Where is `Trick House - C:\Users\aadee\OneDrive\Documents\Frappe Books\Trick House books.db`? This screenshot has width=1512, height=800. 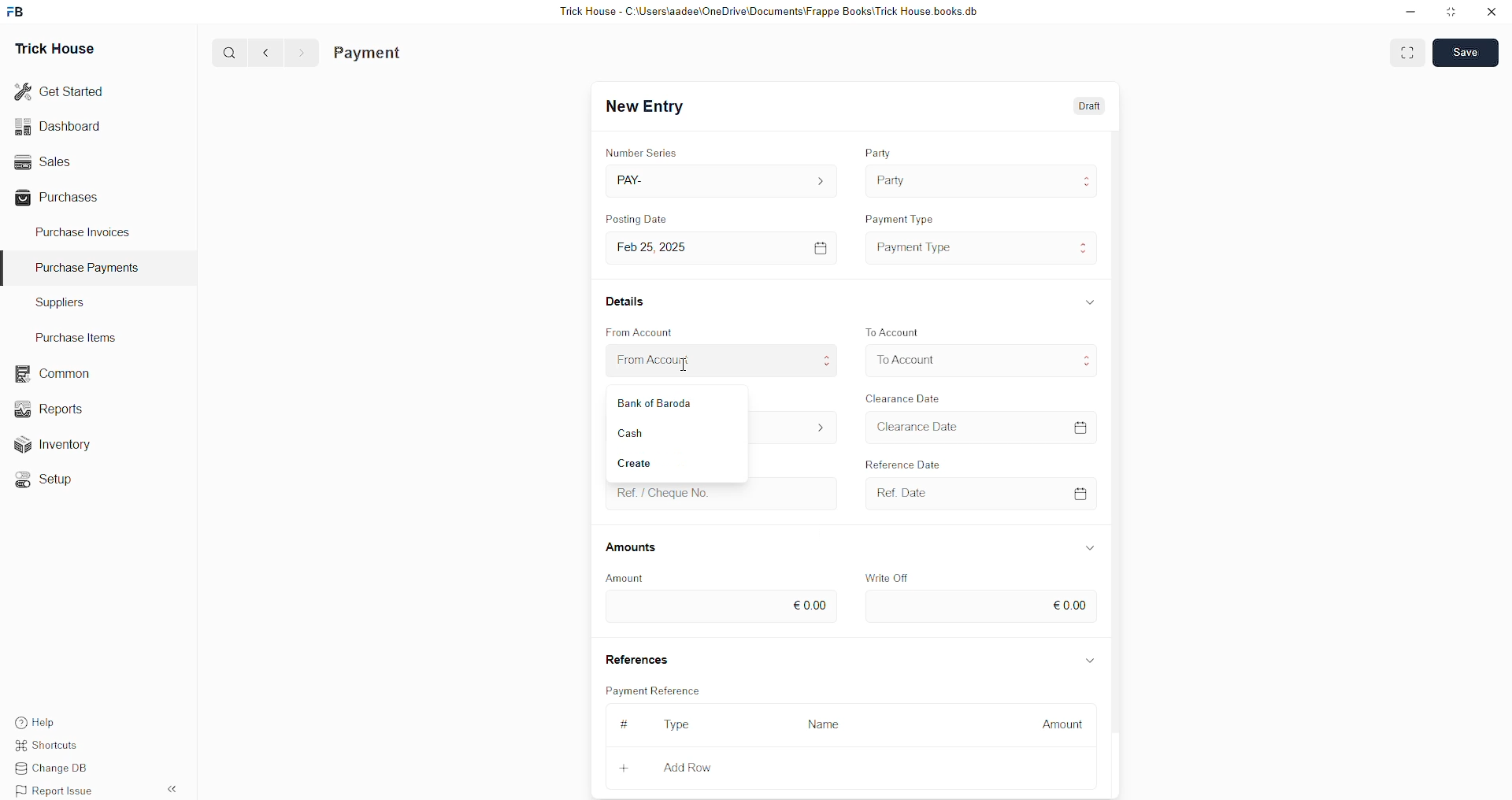
Trick House - C:\Users\aadee\OneDrive\Documents\Frappe Books\Trick House books.db is located at coordinates (772, 12).